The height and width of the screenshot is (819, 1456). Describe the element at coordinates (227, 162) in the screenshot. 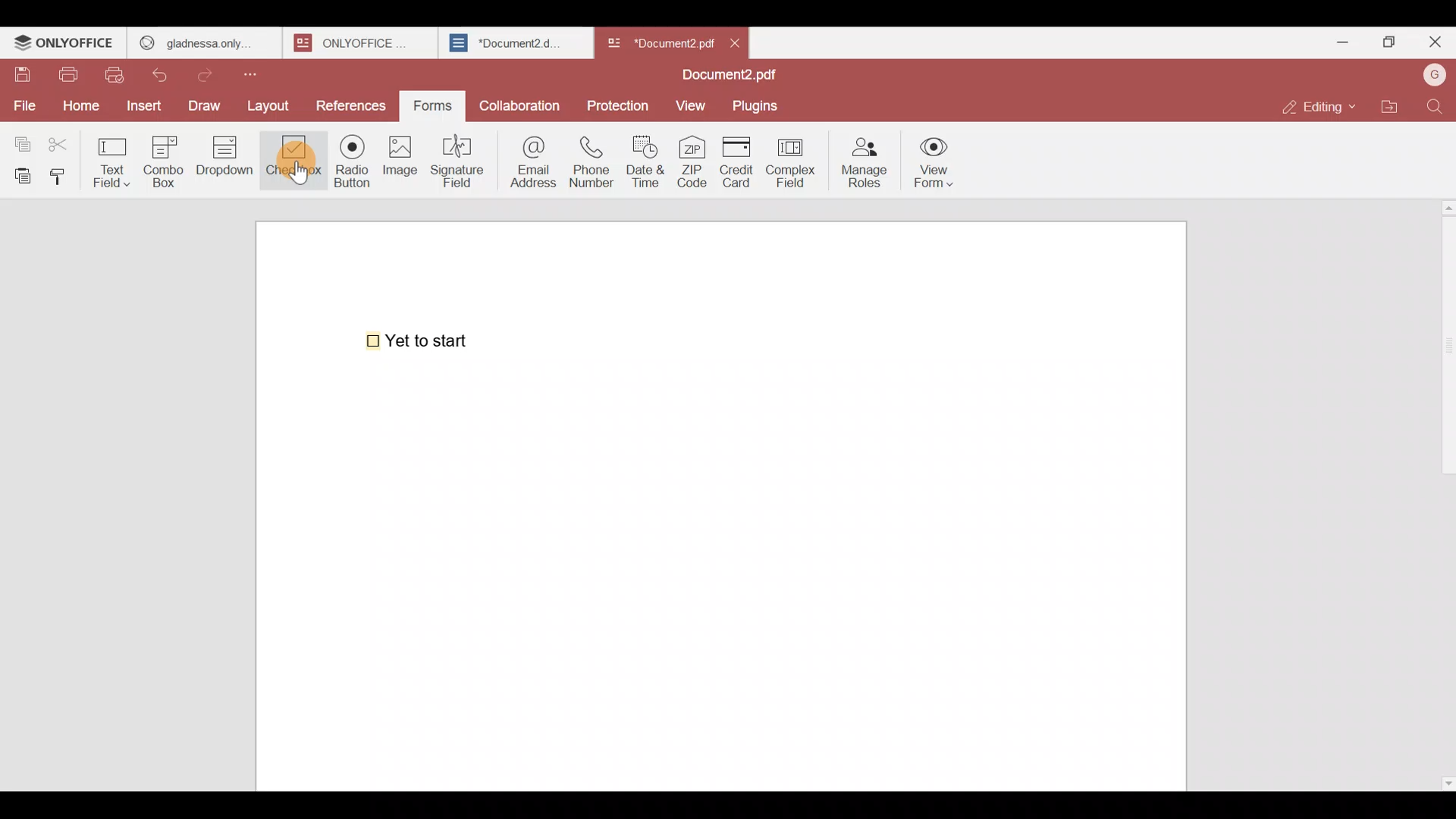

I see `Dropdown` at that location.